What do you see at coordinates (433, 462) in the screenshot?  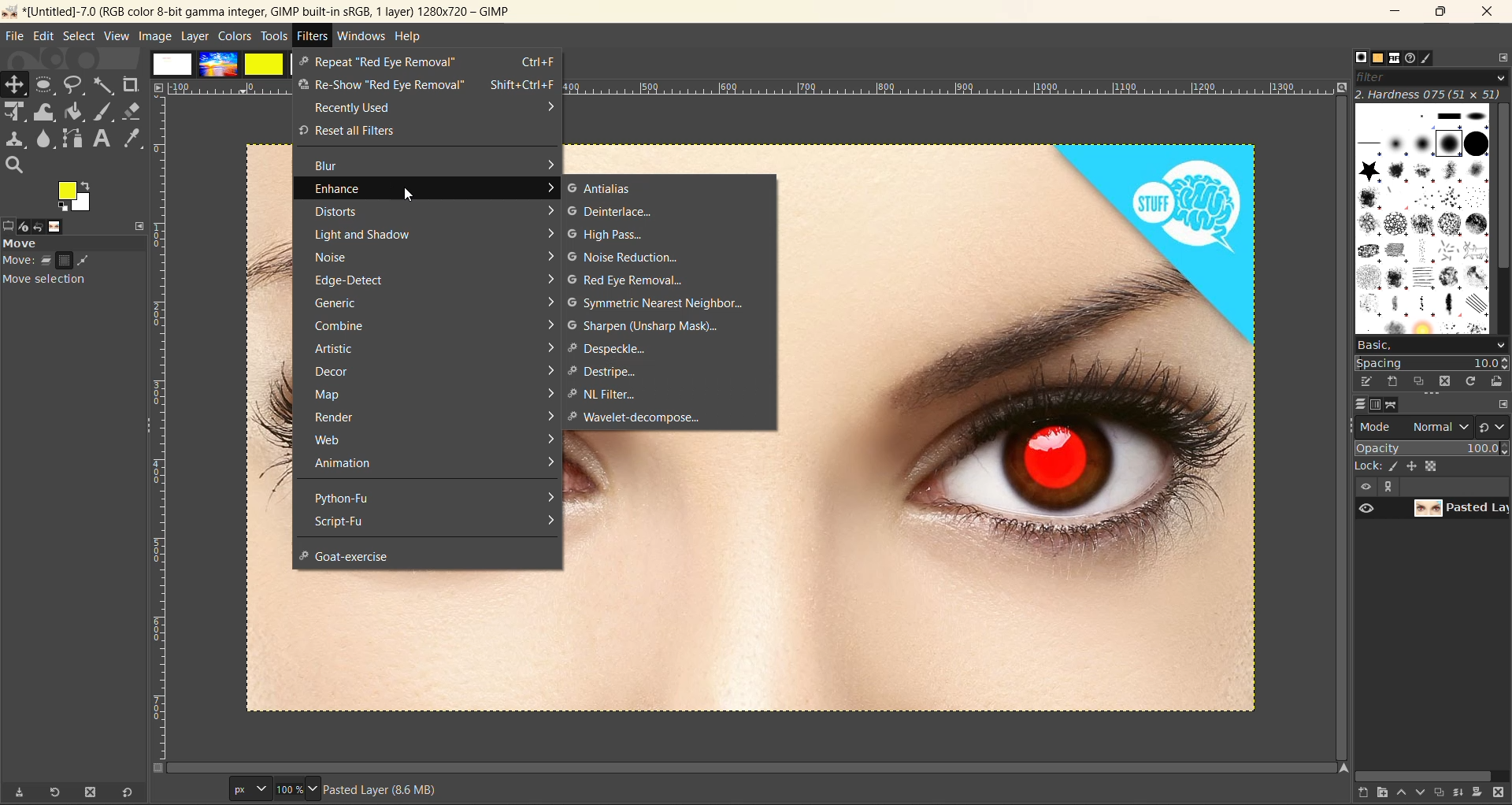 I see `animation` at bounding box center [433, 462].